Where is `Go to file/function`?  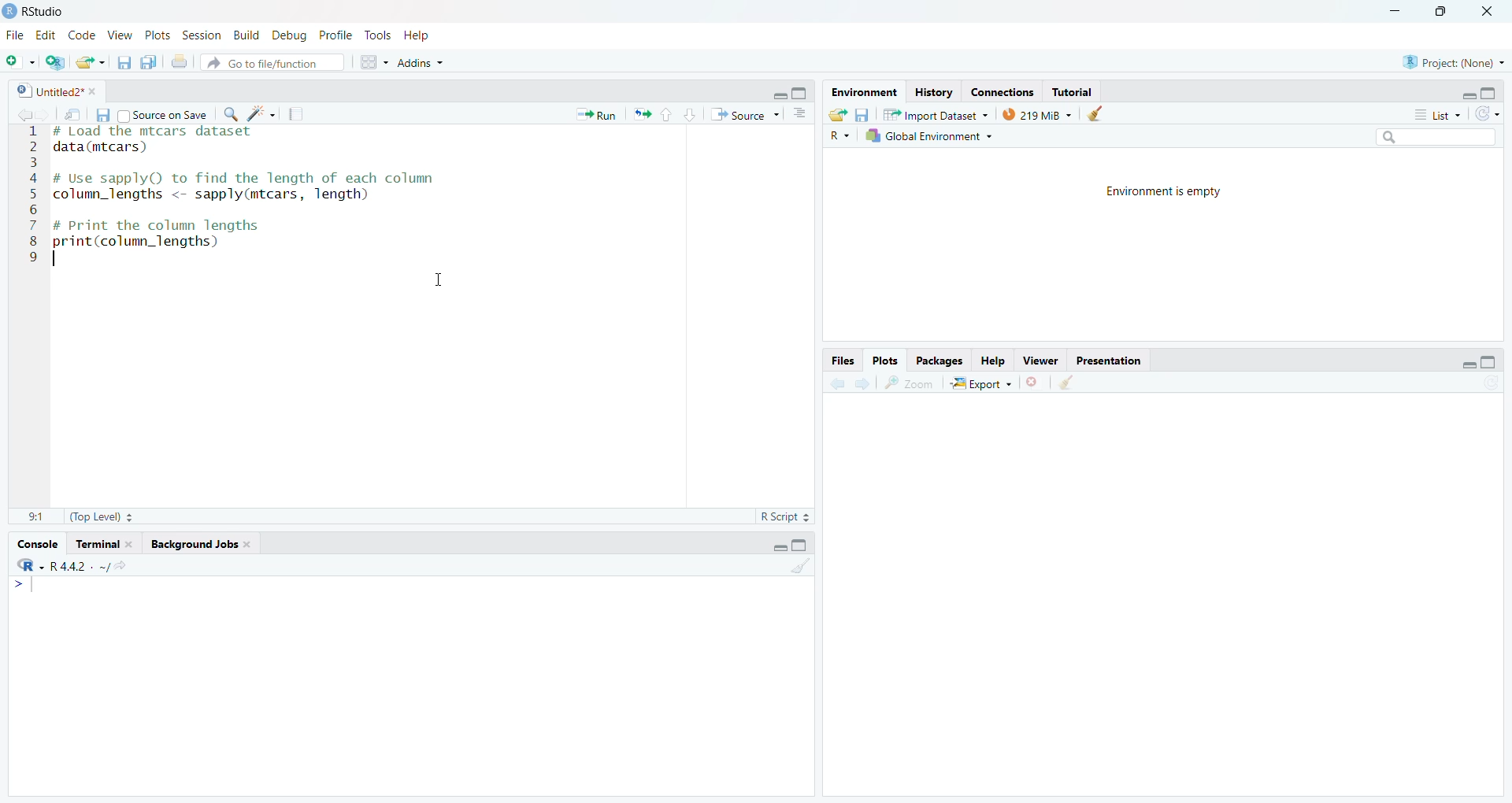
Go to file/function is located at coordinates (272, 62).